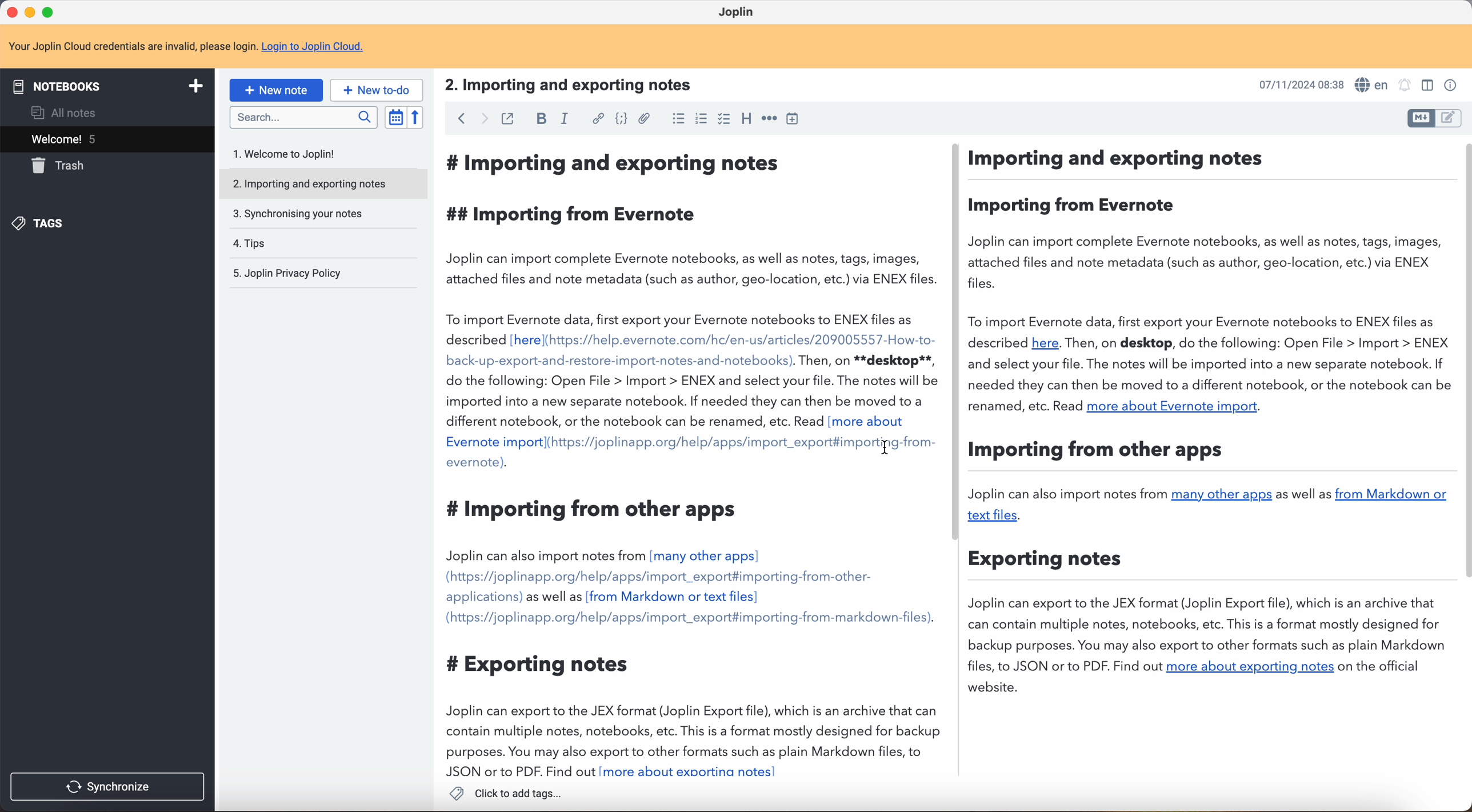 This screenshot has height=812, width=1472. Describe the element at coordinates (1449, 118) in the screenshot. I see `toggle editor layout` at that location.